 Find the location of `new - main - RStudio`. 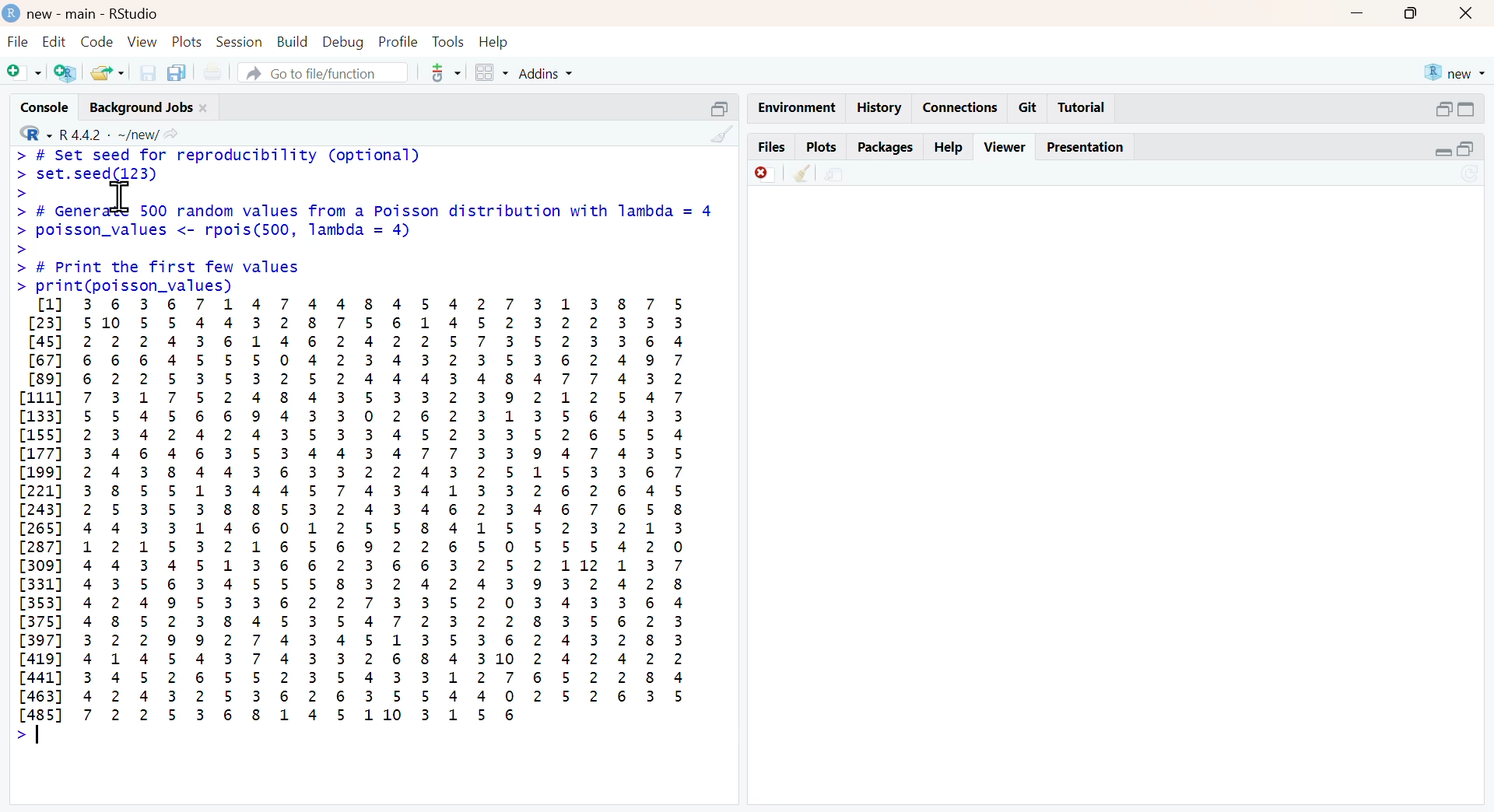

new - main - RStudio is located at coordinates (93, 15).